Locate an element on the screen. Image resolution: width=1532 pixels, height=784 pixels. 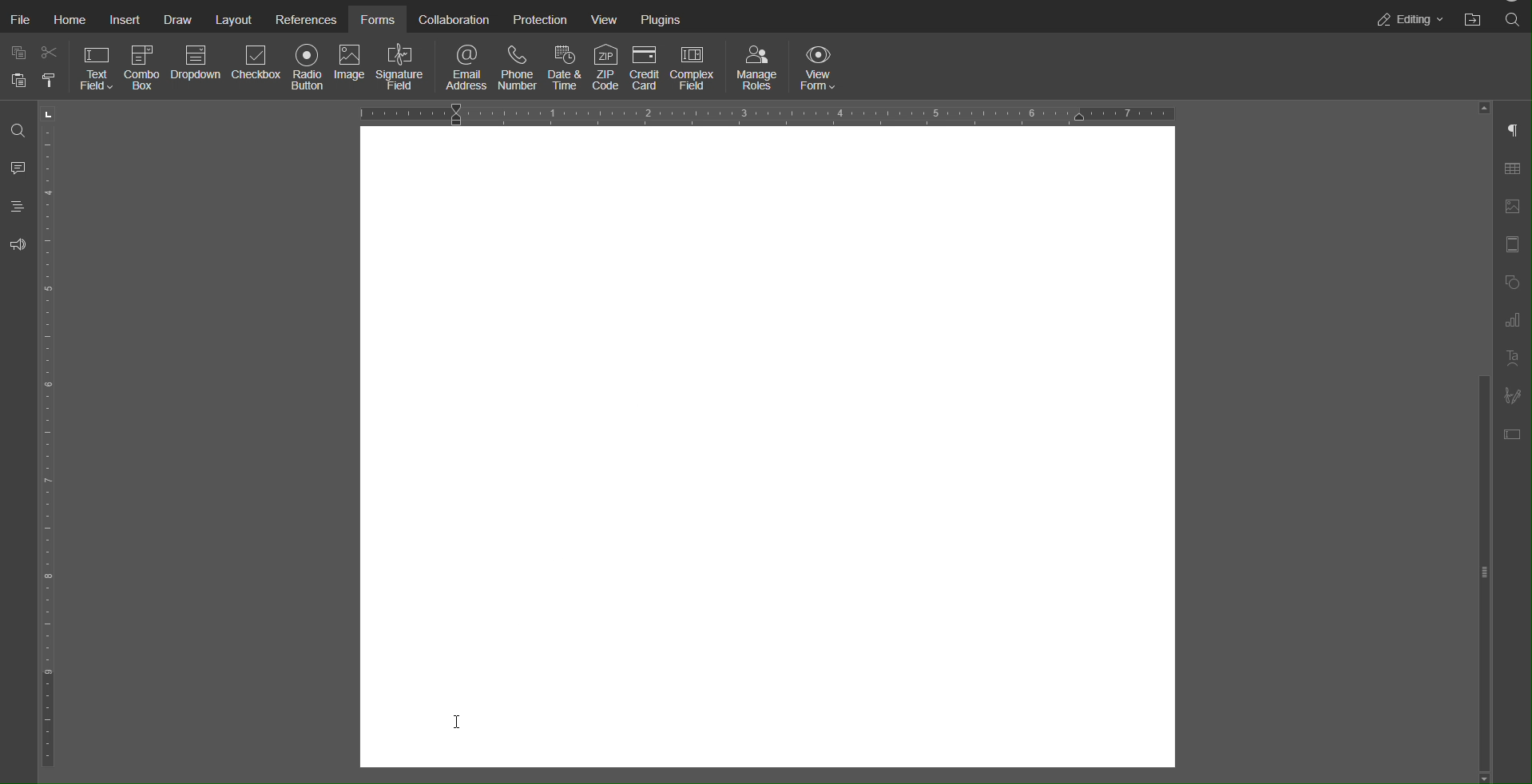
Checkbox is located at coordinates (258, 69).